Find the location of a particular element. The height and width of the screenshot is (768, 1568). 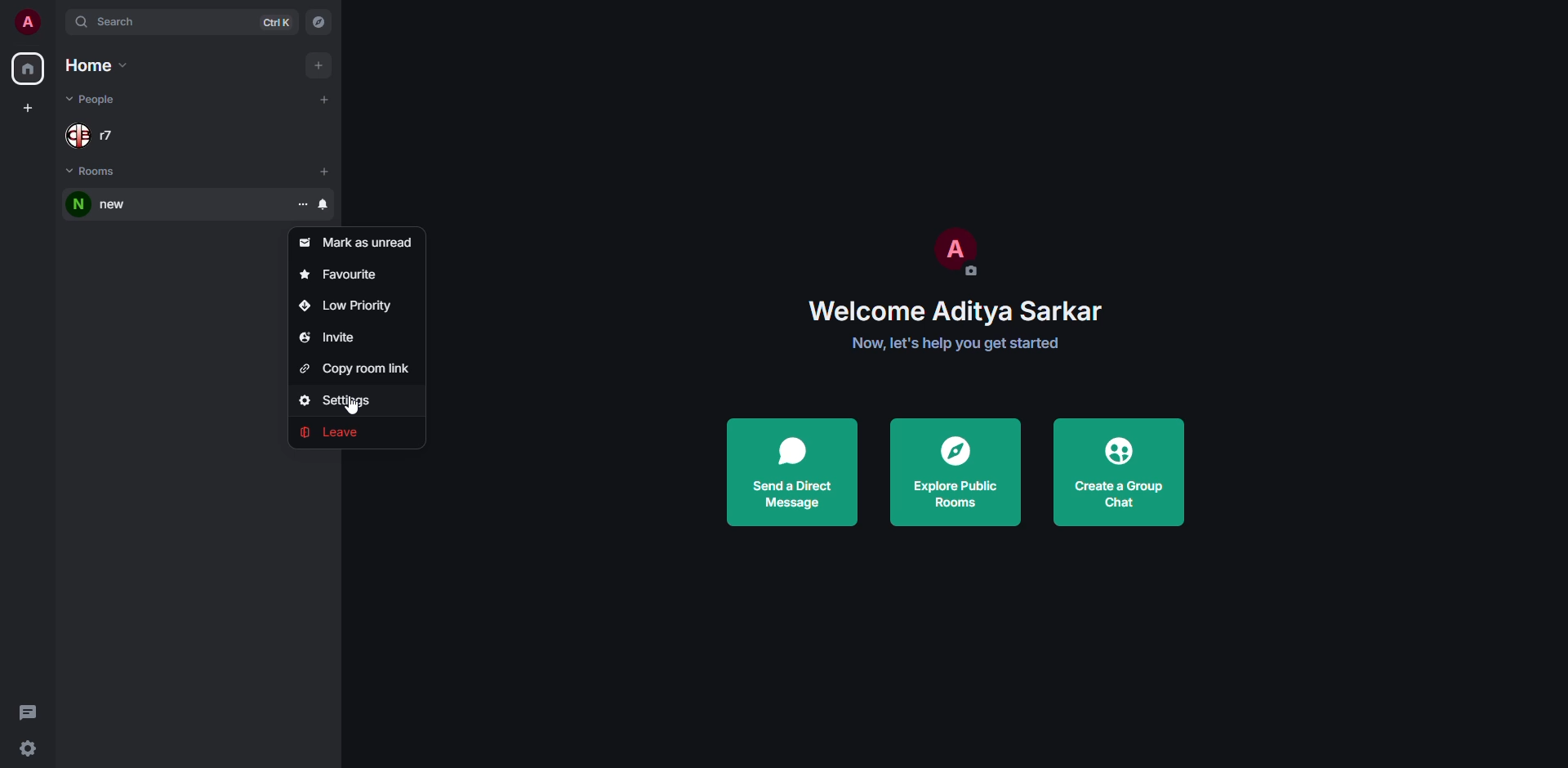

add is located at coordinates (318, 63).